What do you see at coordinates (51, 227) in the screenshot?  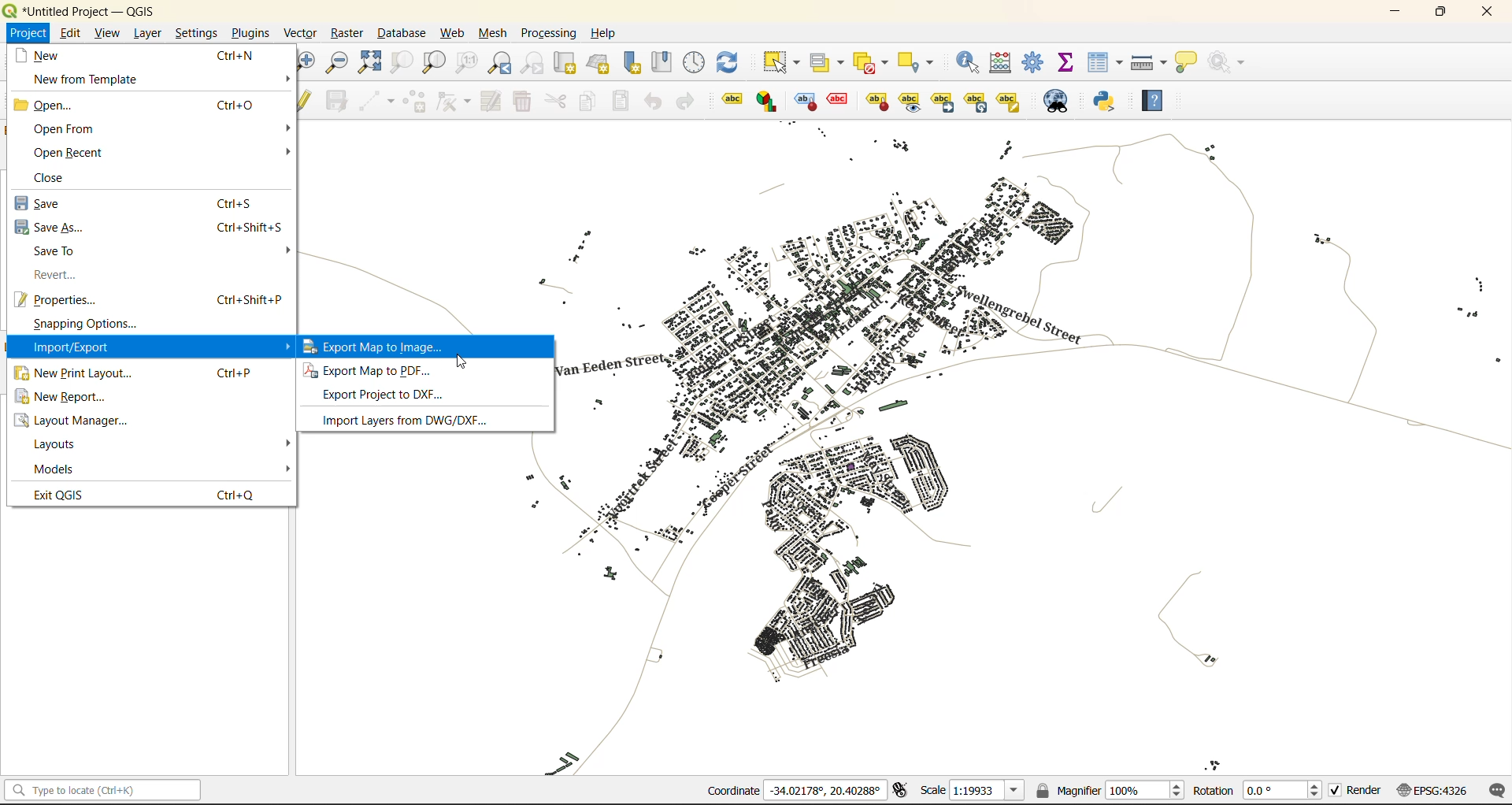 I see `save as` at bounding box center [51, 227].